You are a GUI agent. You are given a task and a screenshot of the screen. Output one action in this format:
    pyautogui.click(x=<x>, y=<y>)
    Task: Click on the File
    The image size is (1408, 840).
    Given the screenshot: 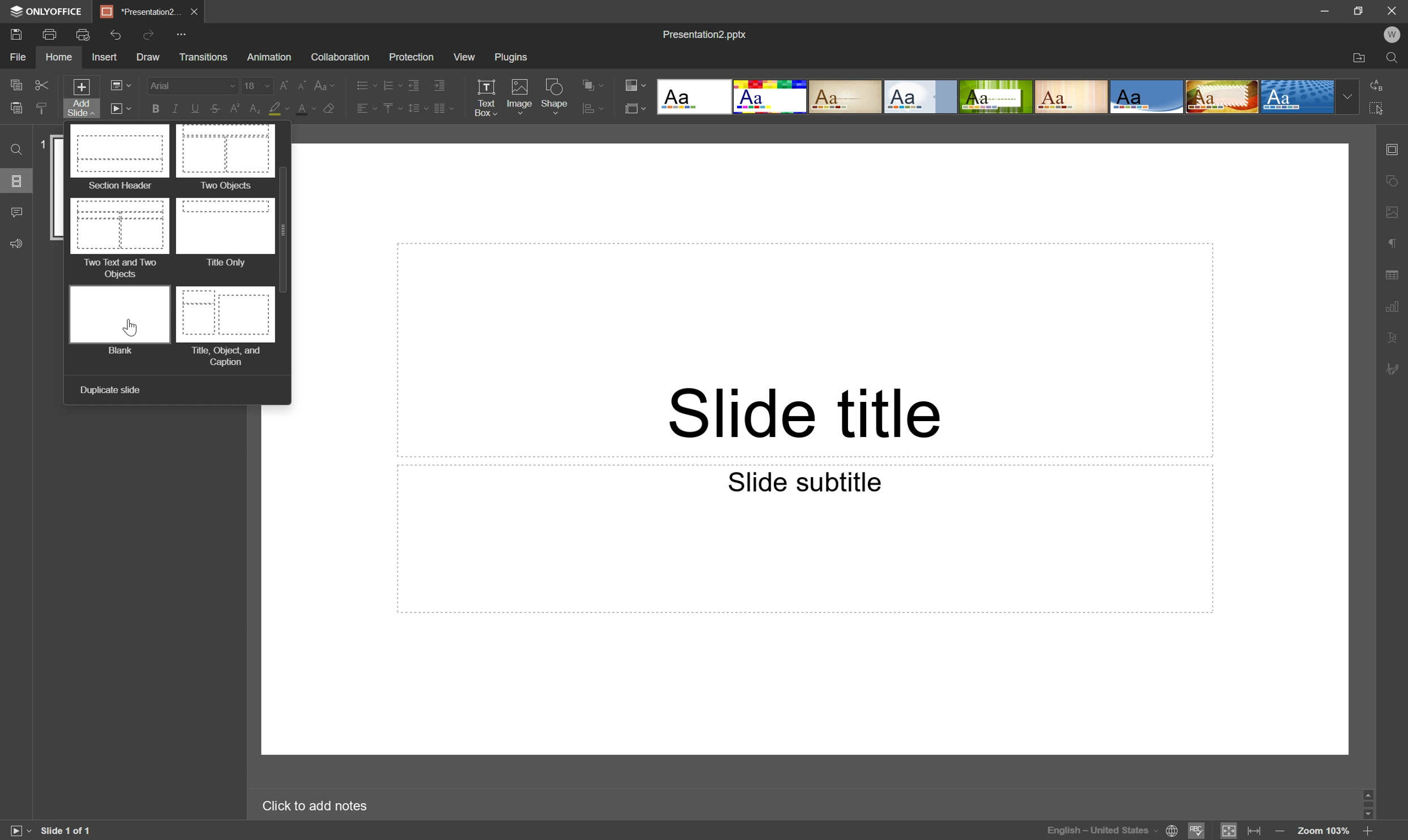 What is the action you would take?
    pyautogui.click(x=19, y=57)
    